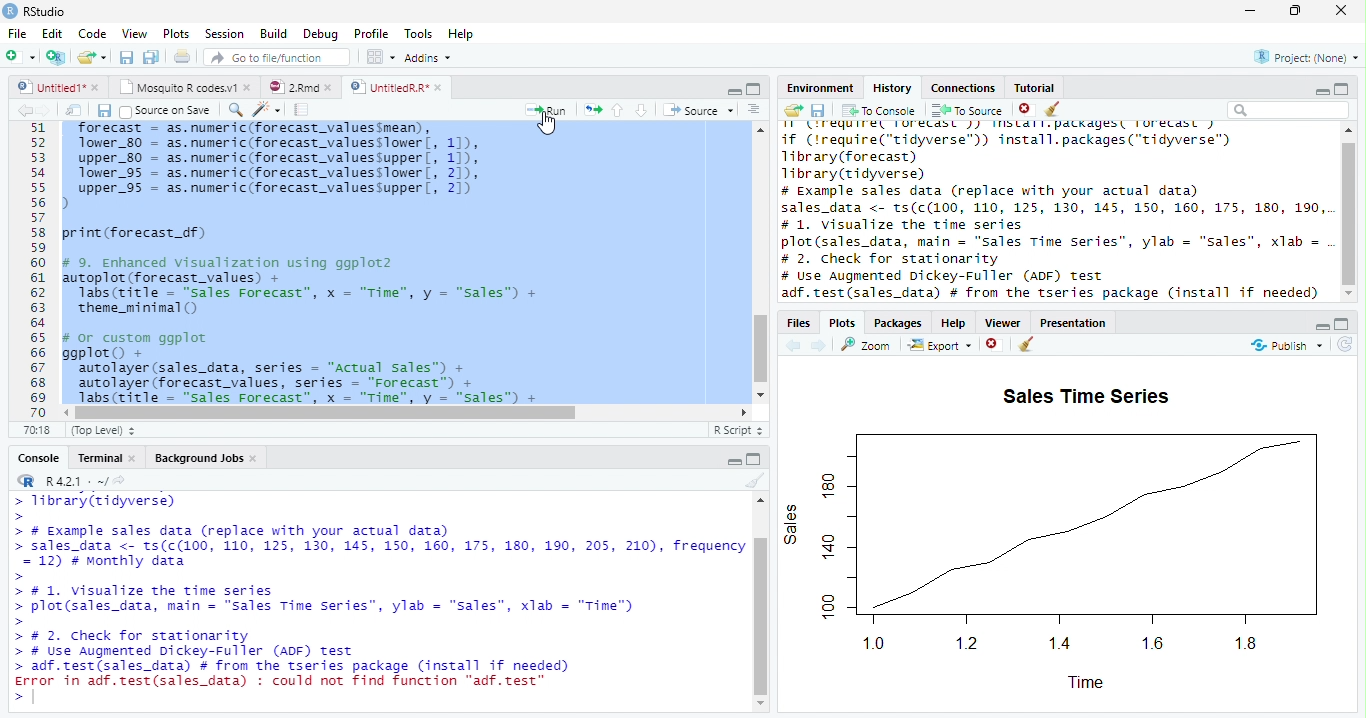  Describe the element at coordinates (551, 127) in the screenshot. I see `Cursor` at that location.